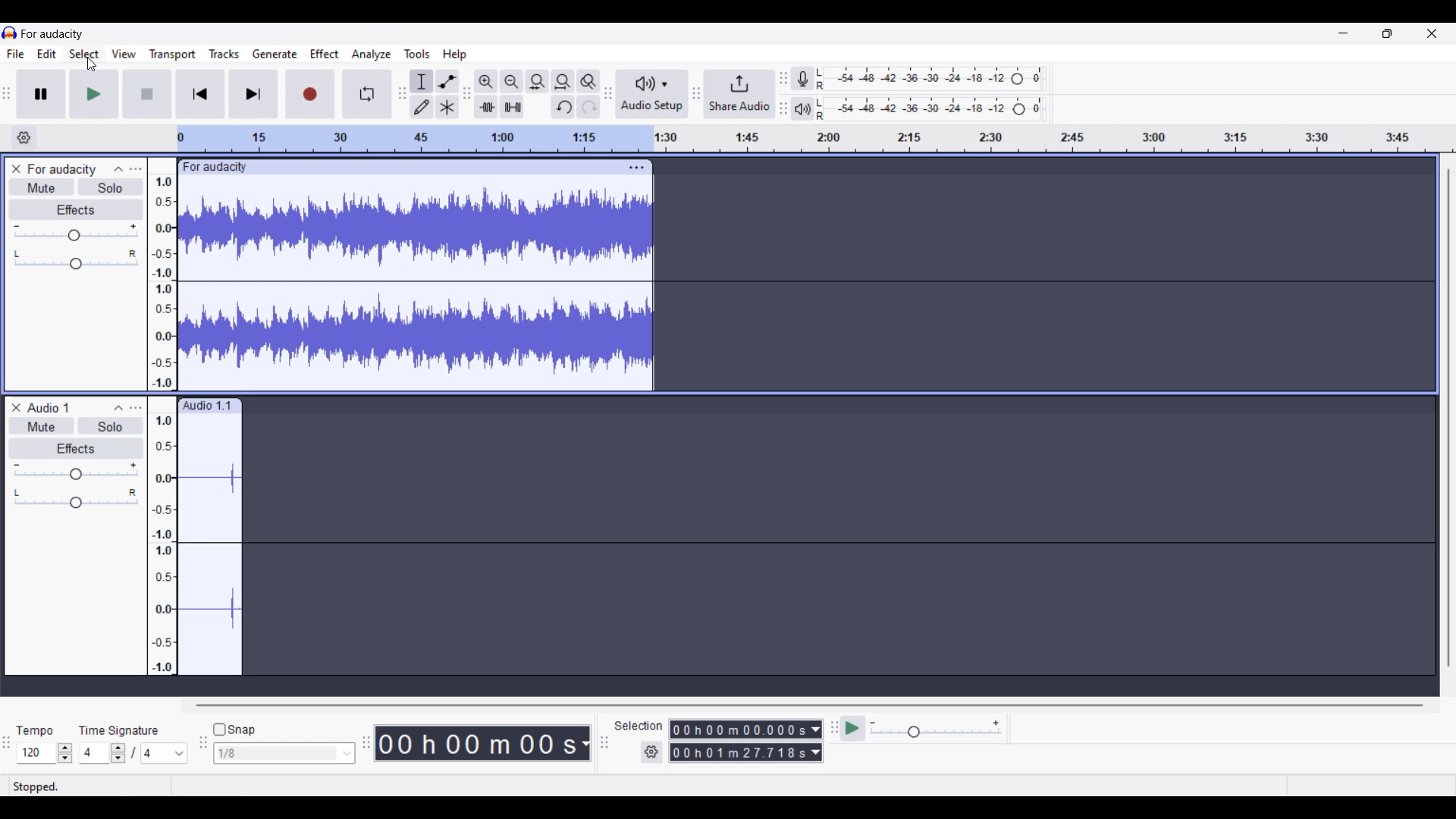  Describe the element at coordinates (52, 35) in the screenshot. I see `for audacity` at that location.